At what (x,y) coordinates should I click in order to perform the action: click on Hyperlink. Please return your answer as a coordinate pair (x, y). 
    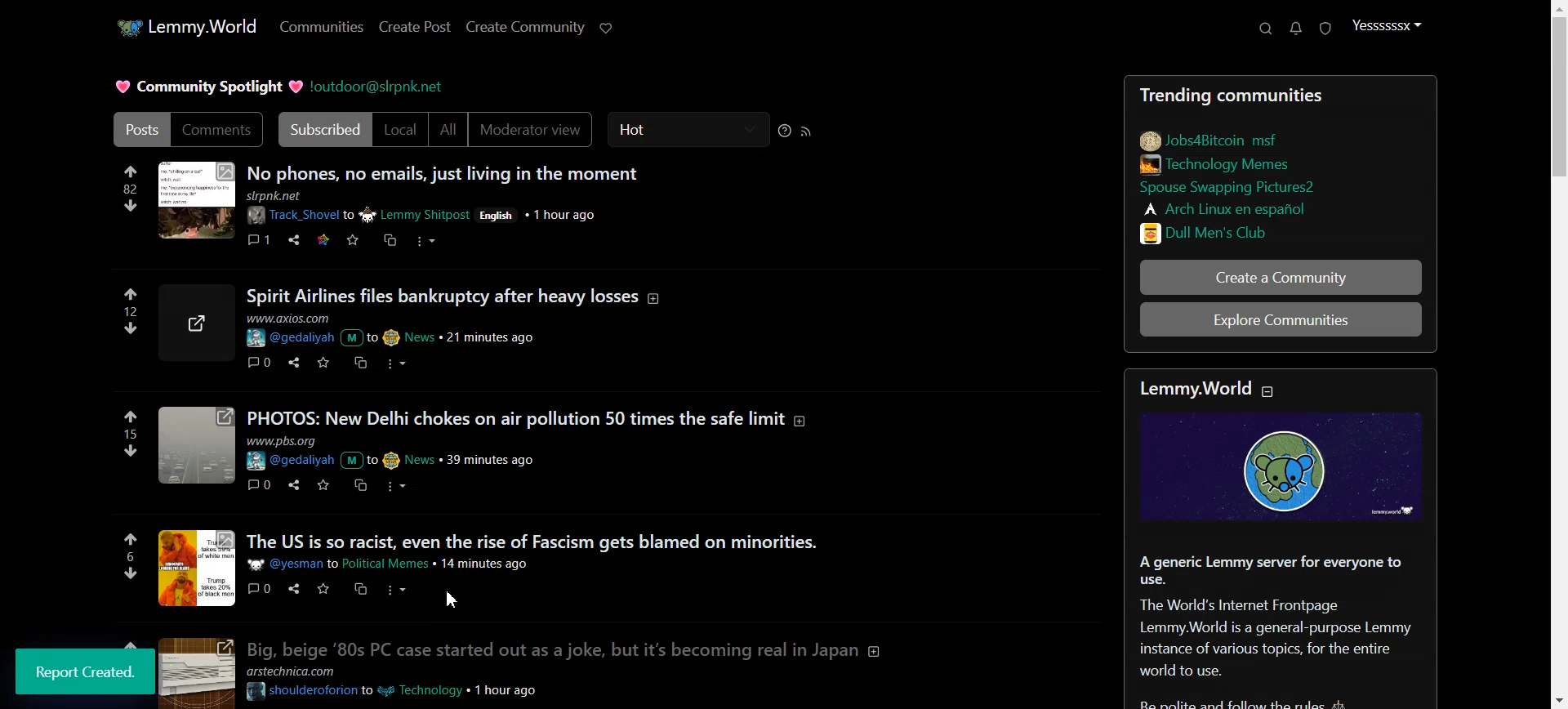
    Looking at the image, I should click on (379, 86).